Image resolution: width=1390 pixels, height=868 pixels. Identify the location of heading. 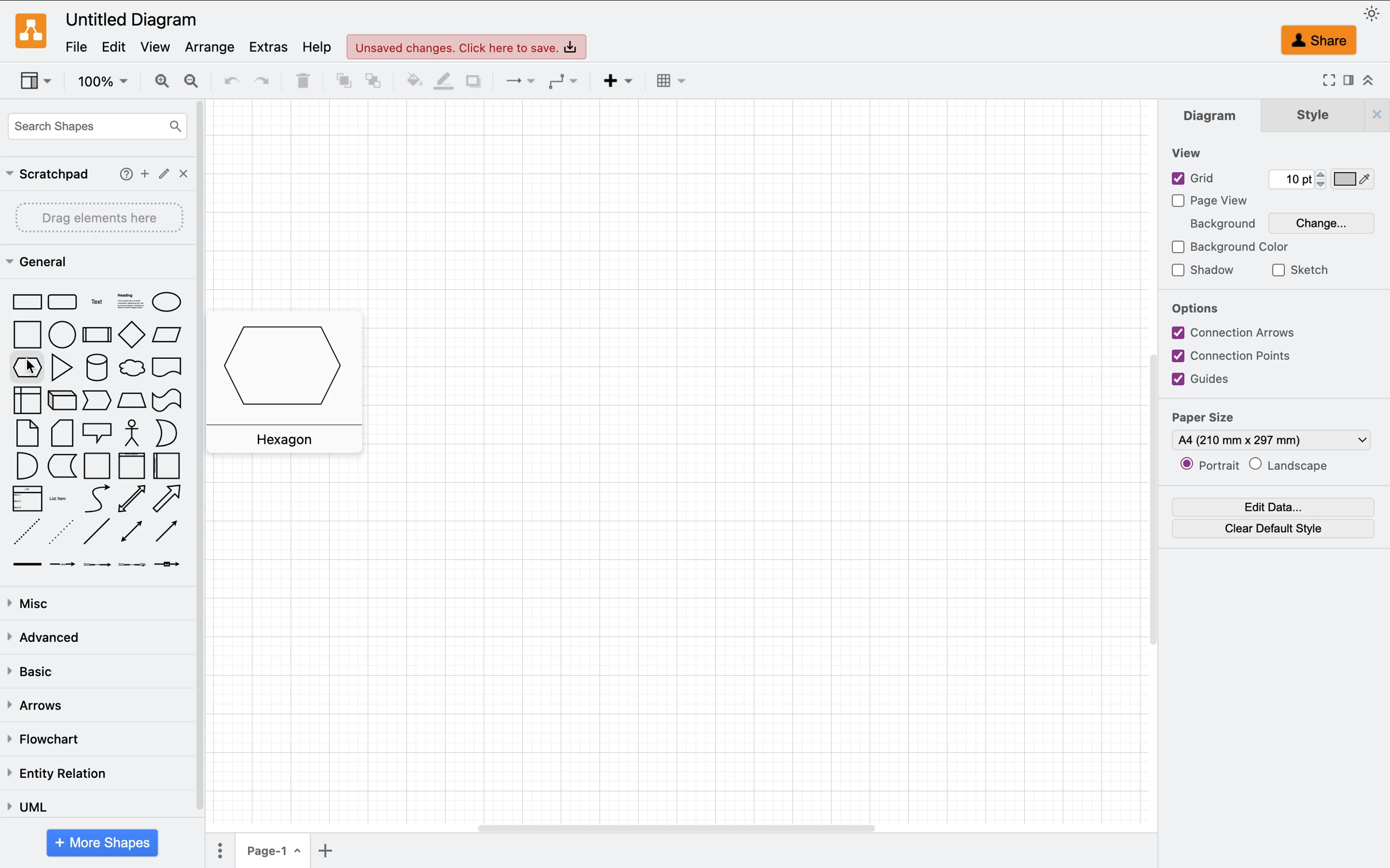
(128, 300).